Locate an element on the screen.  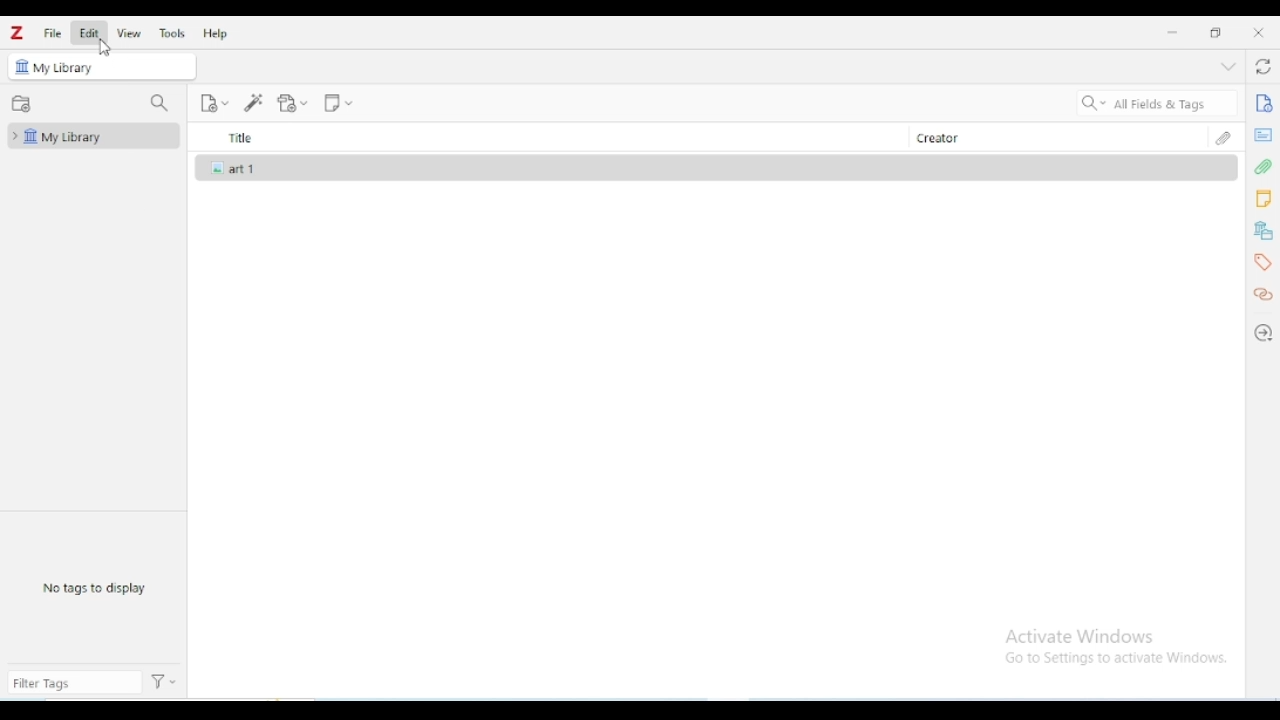
title is located at coordinates (242, 137).